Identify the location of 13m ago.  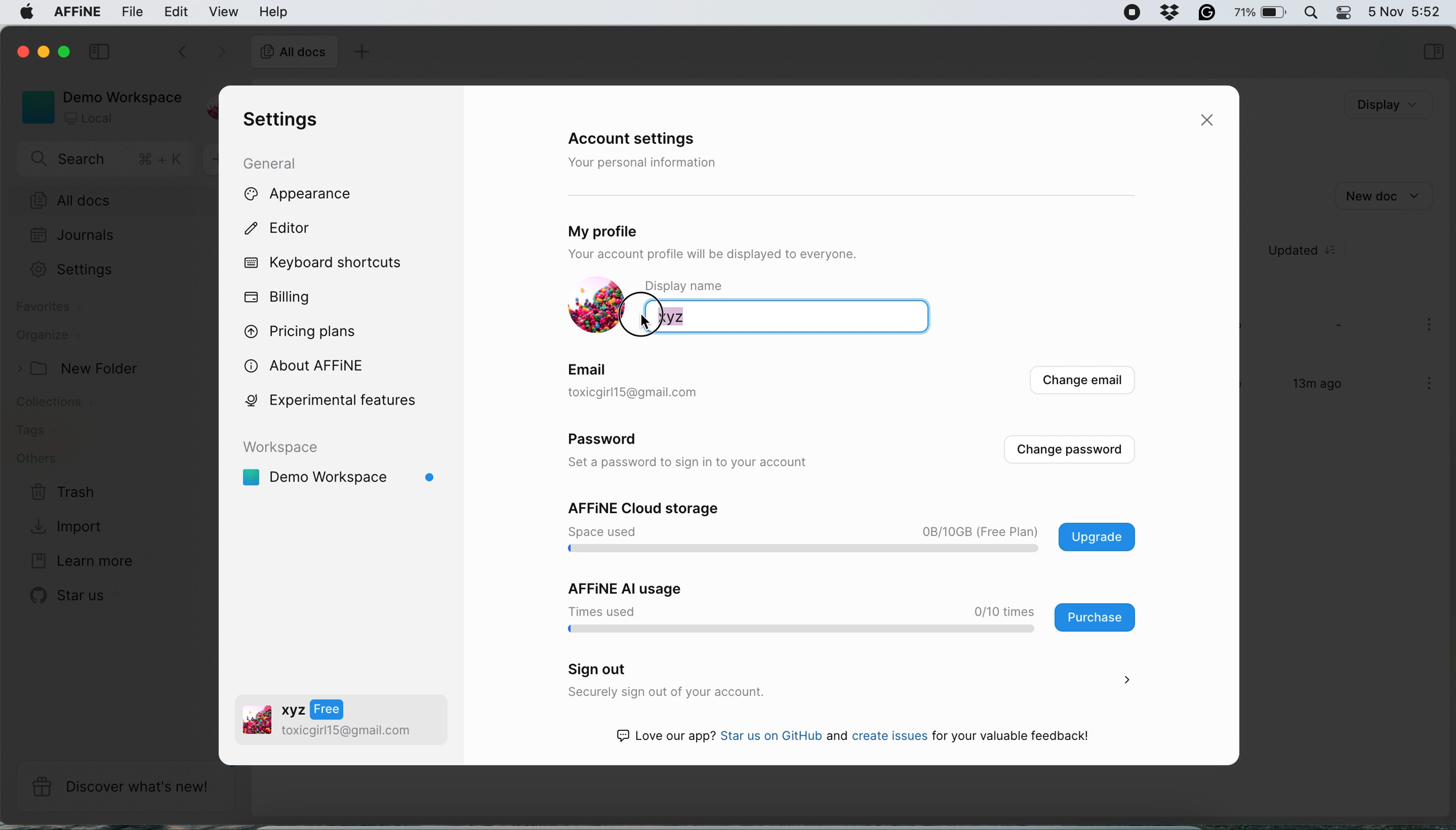
(1309, 389).